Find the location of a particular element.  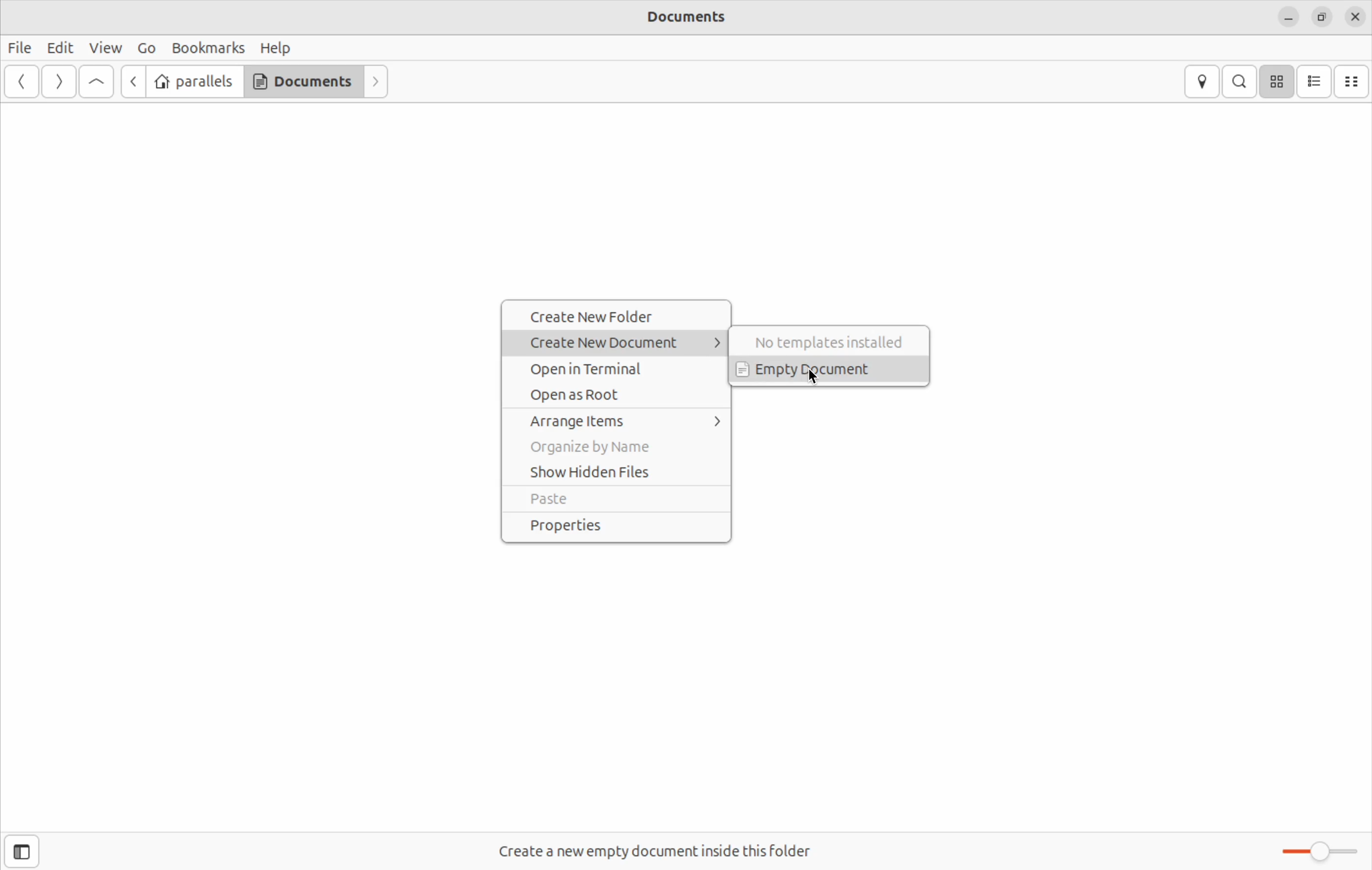

Edit is located at coordinates (59, 48).